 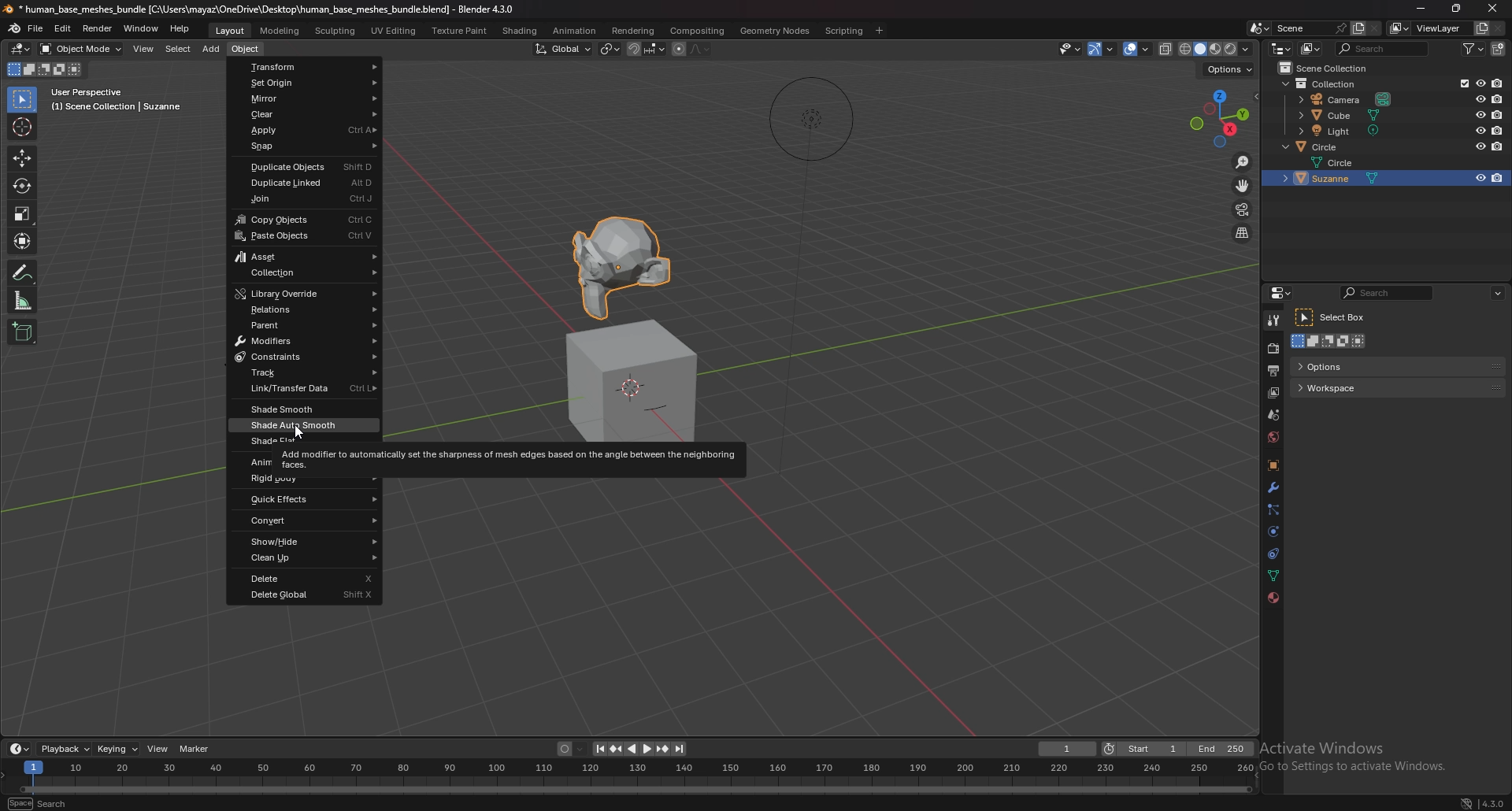 I want to click on new collection, so click(x=1497, y=49).